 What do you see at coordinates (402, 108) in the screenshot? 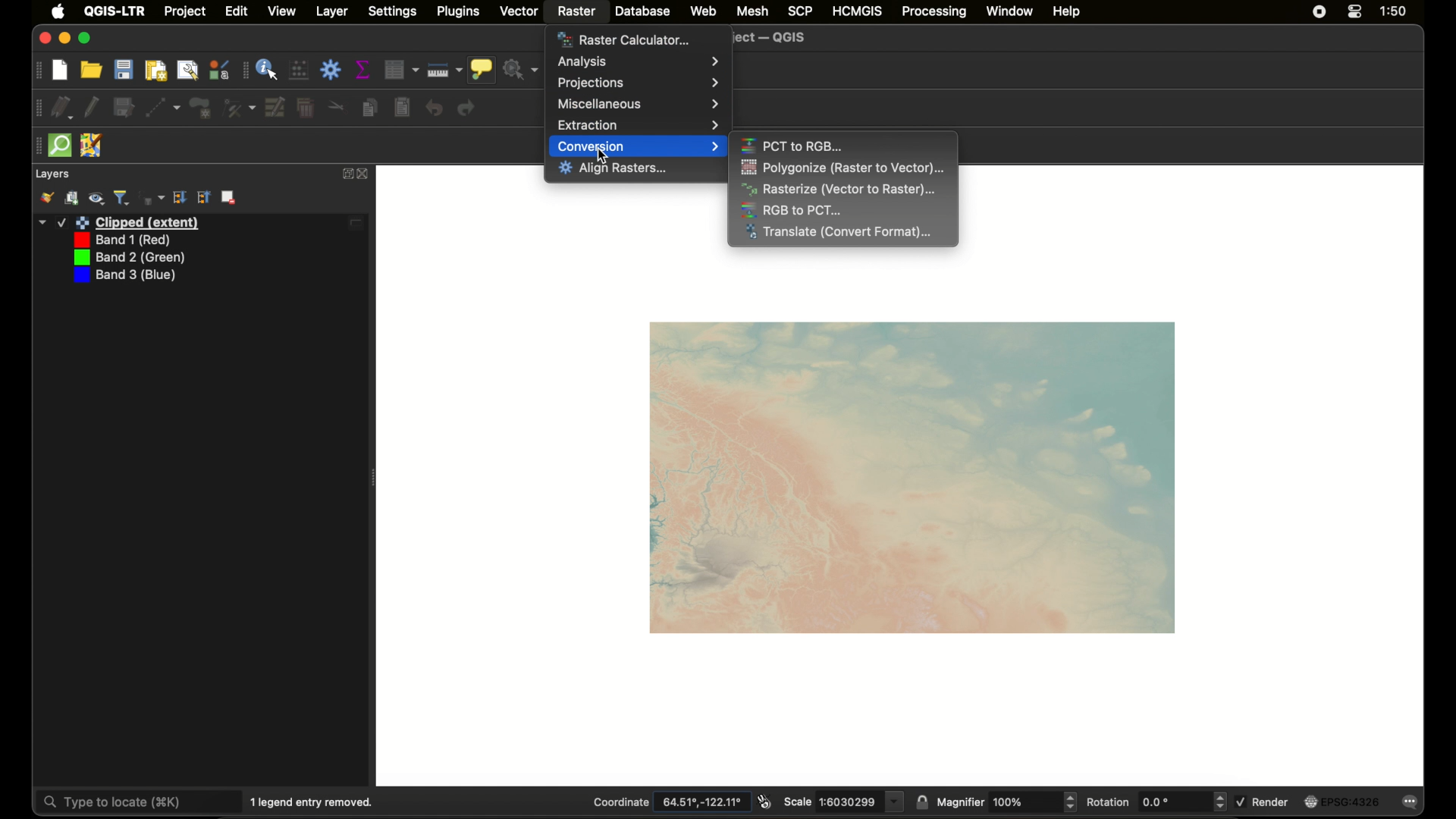
I see `paste features` at bounding box center [402, 108].